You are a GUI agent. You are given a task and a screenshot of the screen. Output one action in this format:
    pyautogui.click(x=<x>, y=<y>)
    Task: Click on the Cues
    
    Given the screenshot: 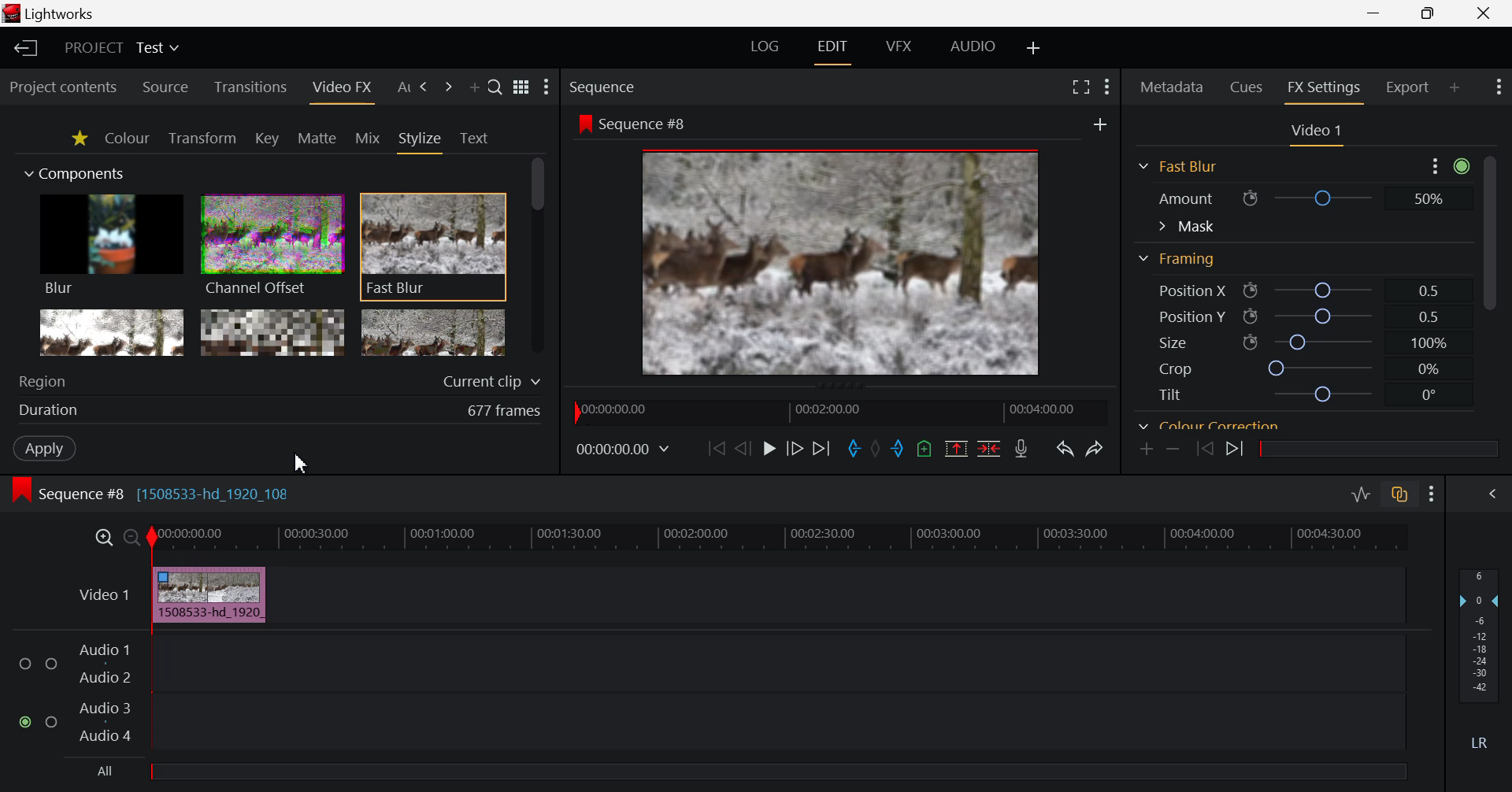 What is the action you would take?
    pyautogui.click(x=1244, y=87)
    